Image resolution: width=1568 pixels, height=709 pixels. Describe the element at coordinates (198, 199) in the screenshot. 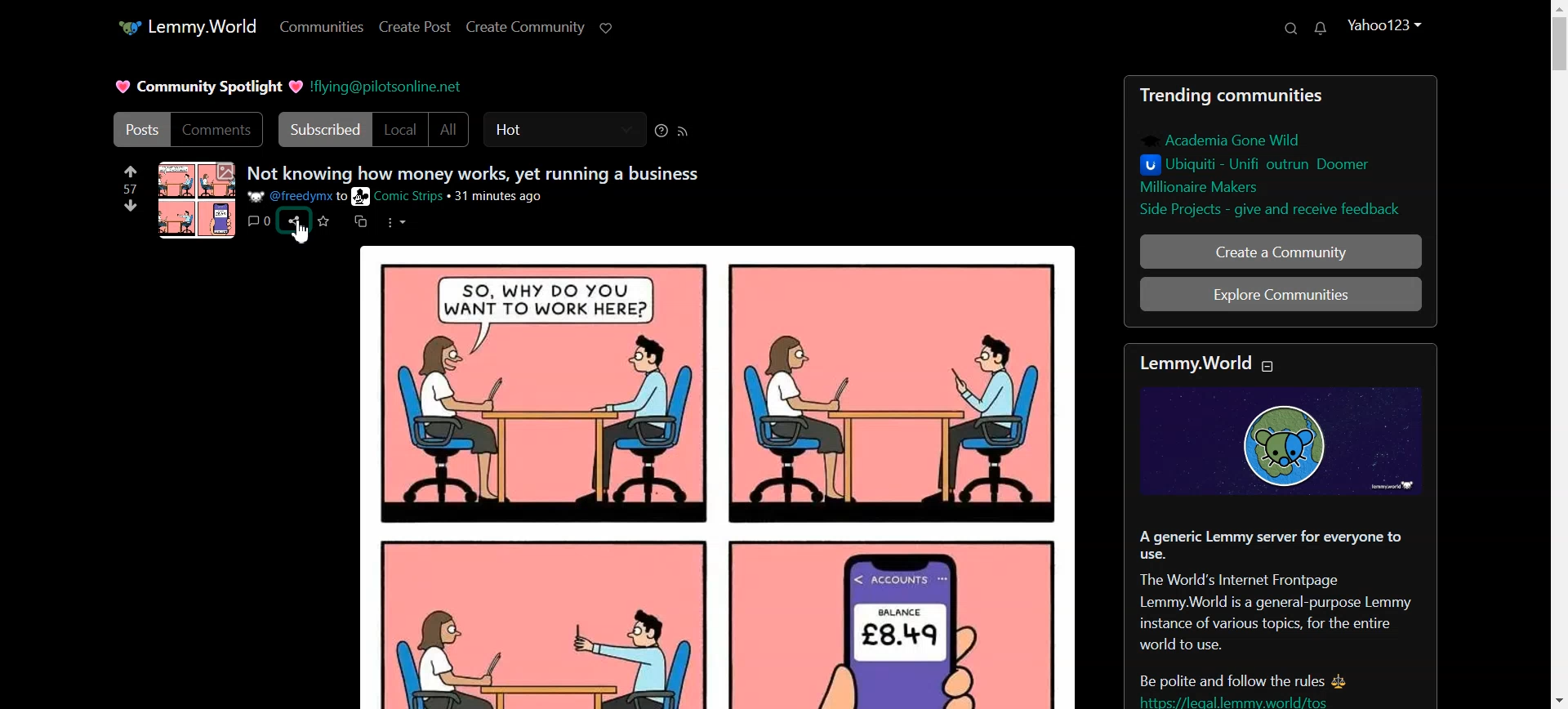

I see `Profile pic` at that location.